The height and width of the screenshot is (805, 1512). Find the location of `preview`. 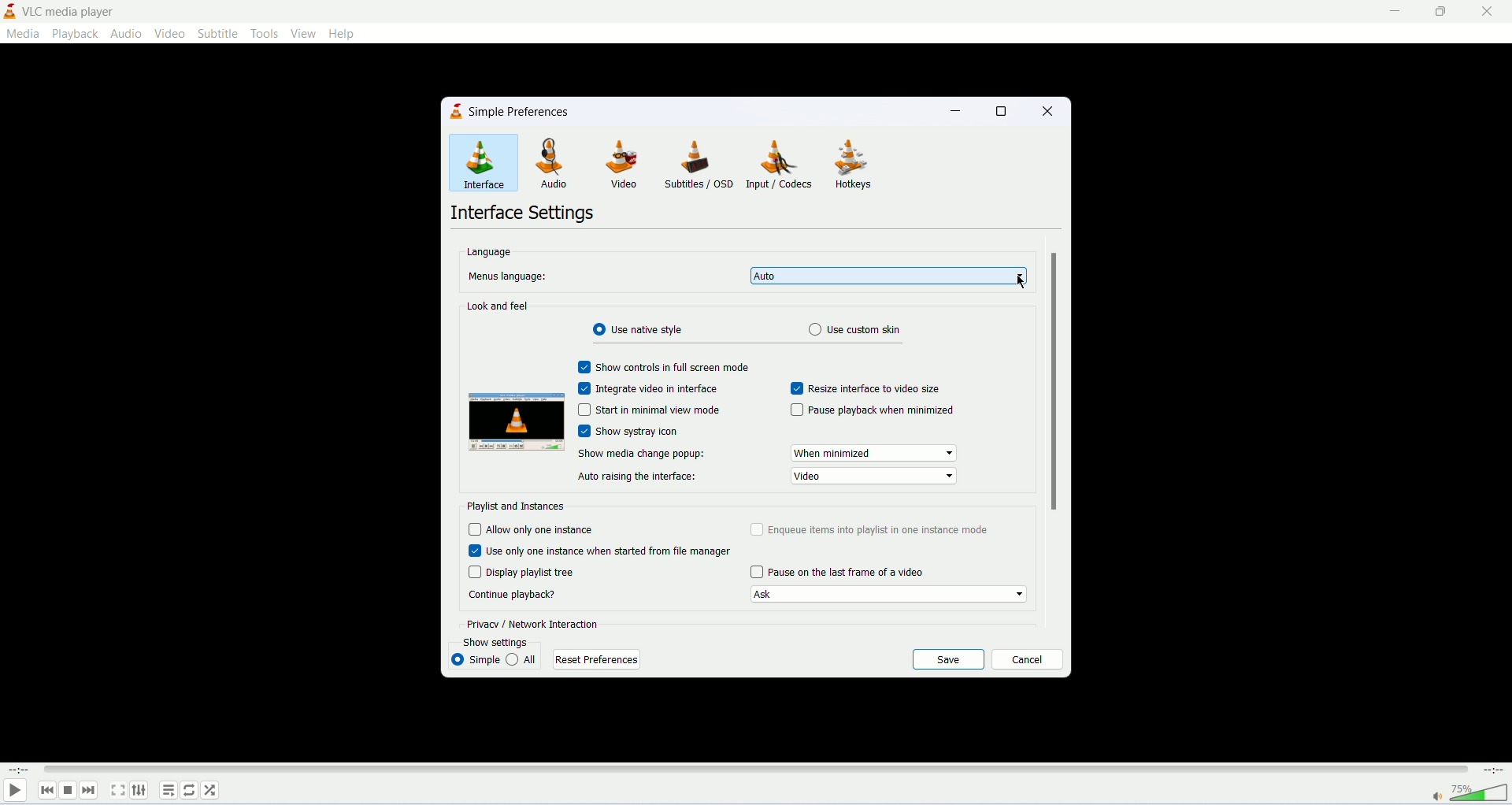

preview is located at coordinates (516, 424).